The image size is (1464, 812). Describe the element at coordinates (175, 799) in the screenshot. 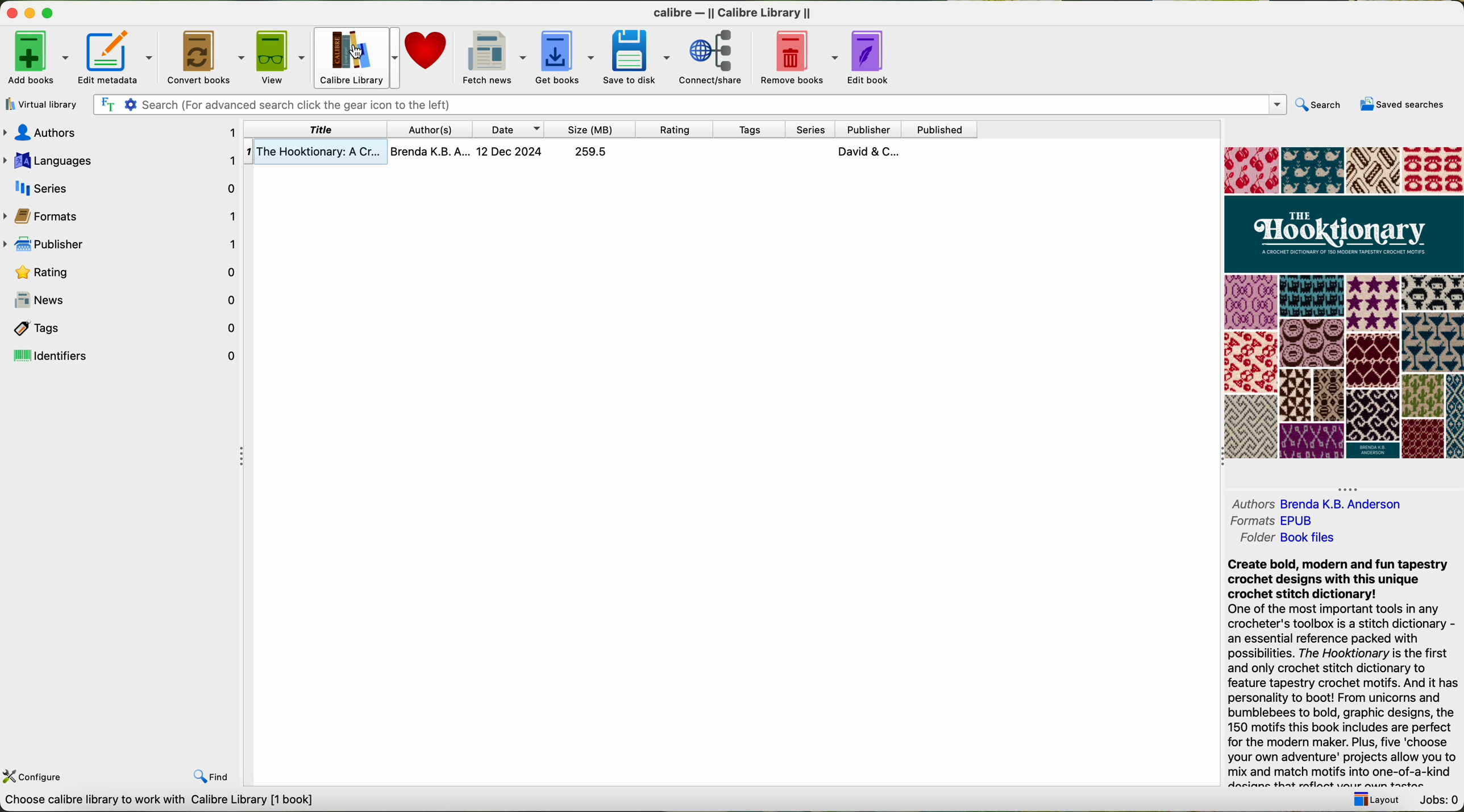

I see `‘Choose calibre library to work with Calibre Library [1 book]` at that location.